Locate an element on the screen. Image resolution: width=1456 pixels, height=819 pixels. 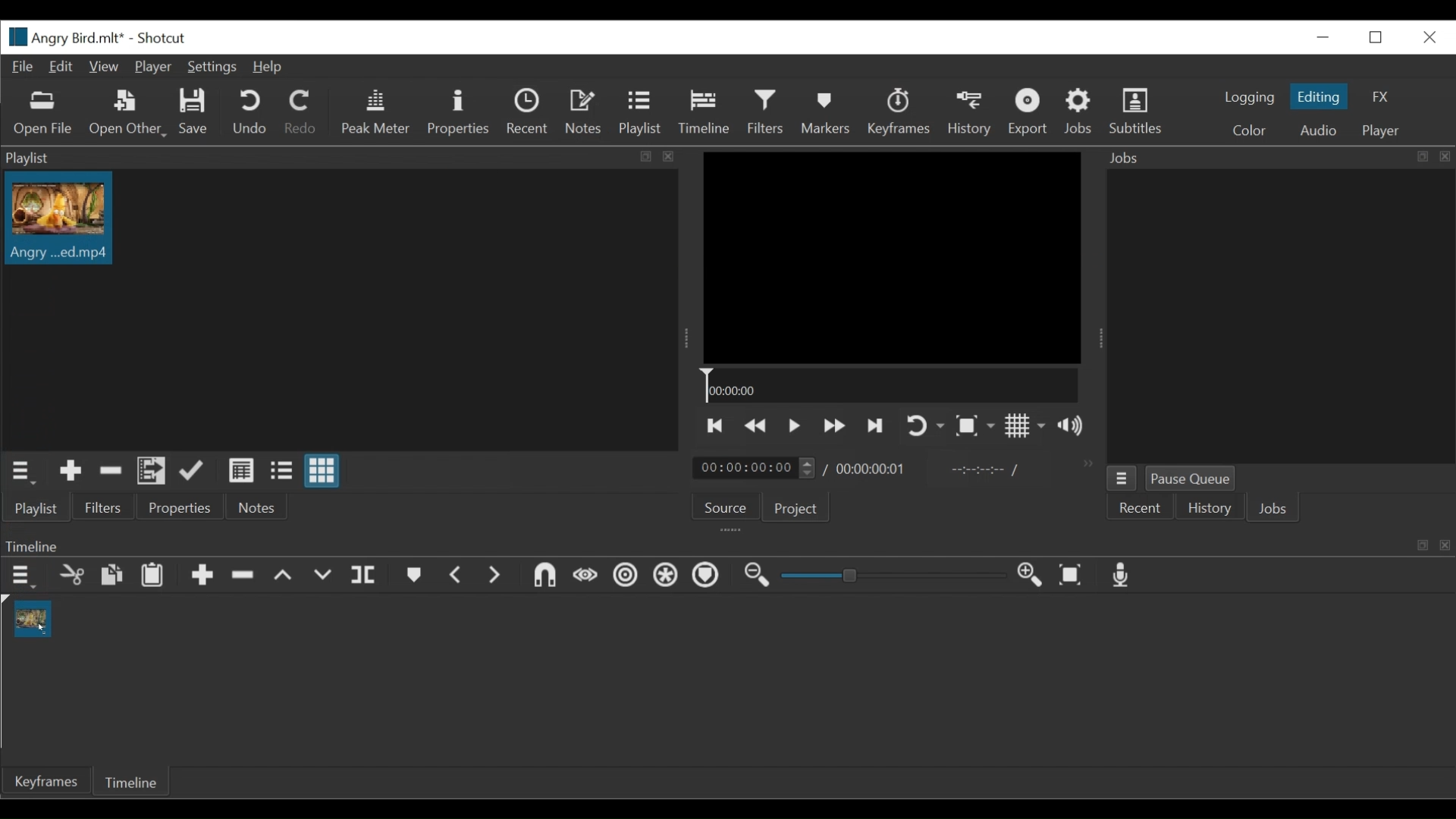
Properties is located at coordinates (180, 507).